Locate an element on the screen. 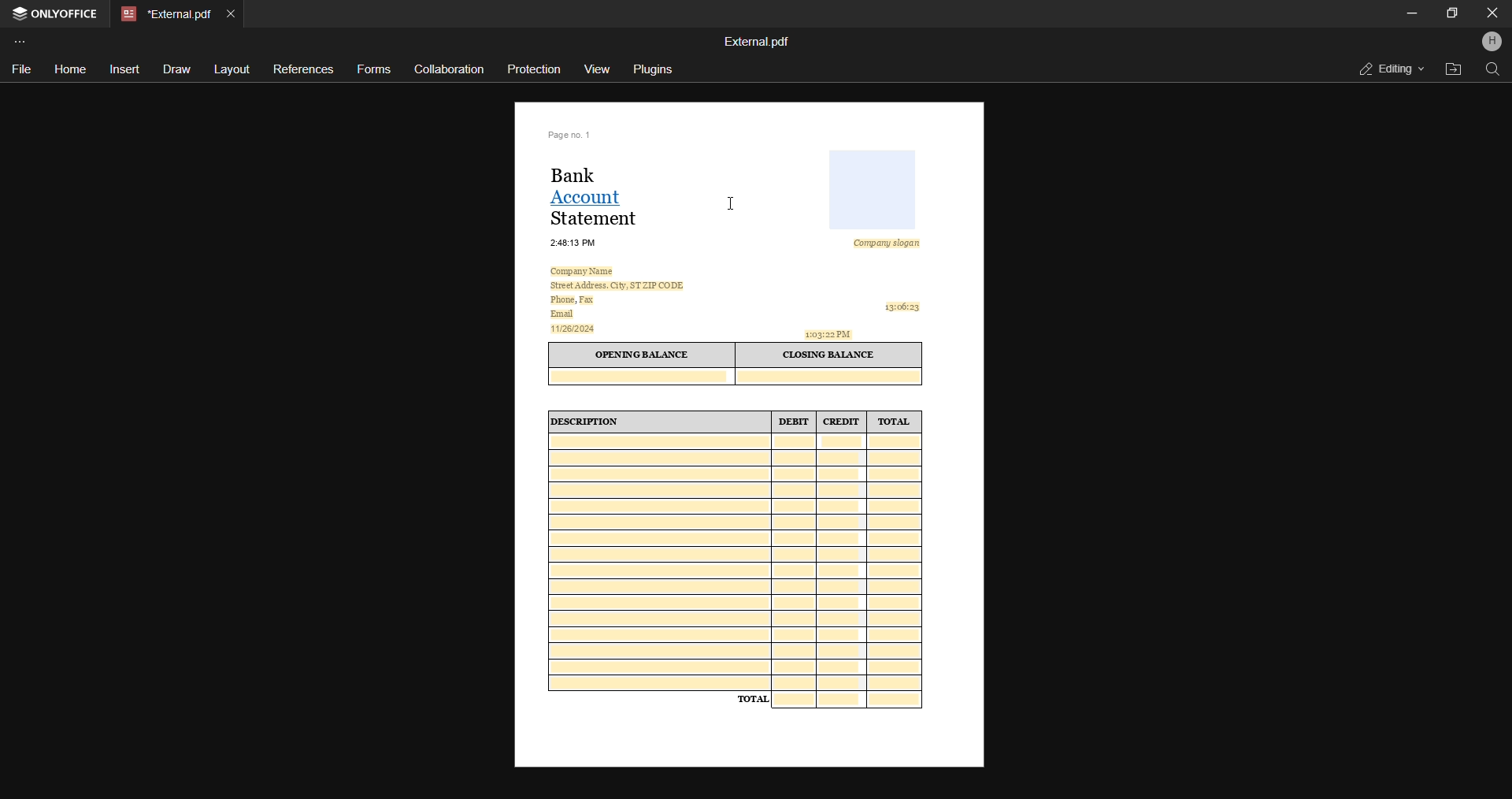 Image resolution: width=1512 pixels, height=799 pixels. External.pdf(file name) is located at coordinates (758, 42).